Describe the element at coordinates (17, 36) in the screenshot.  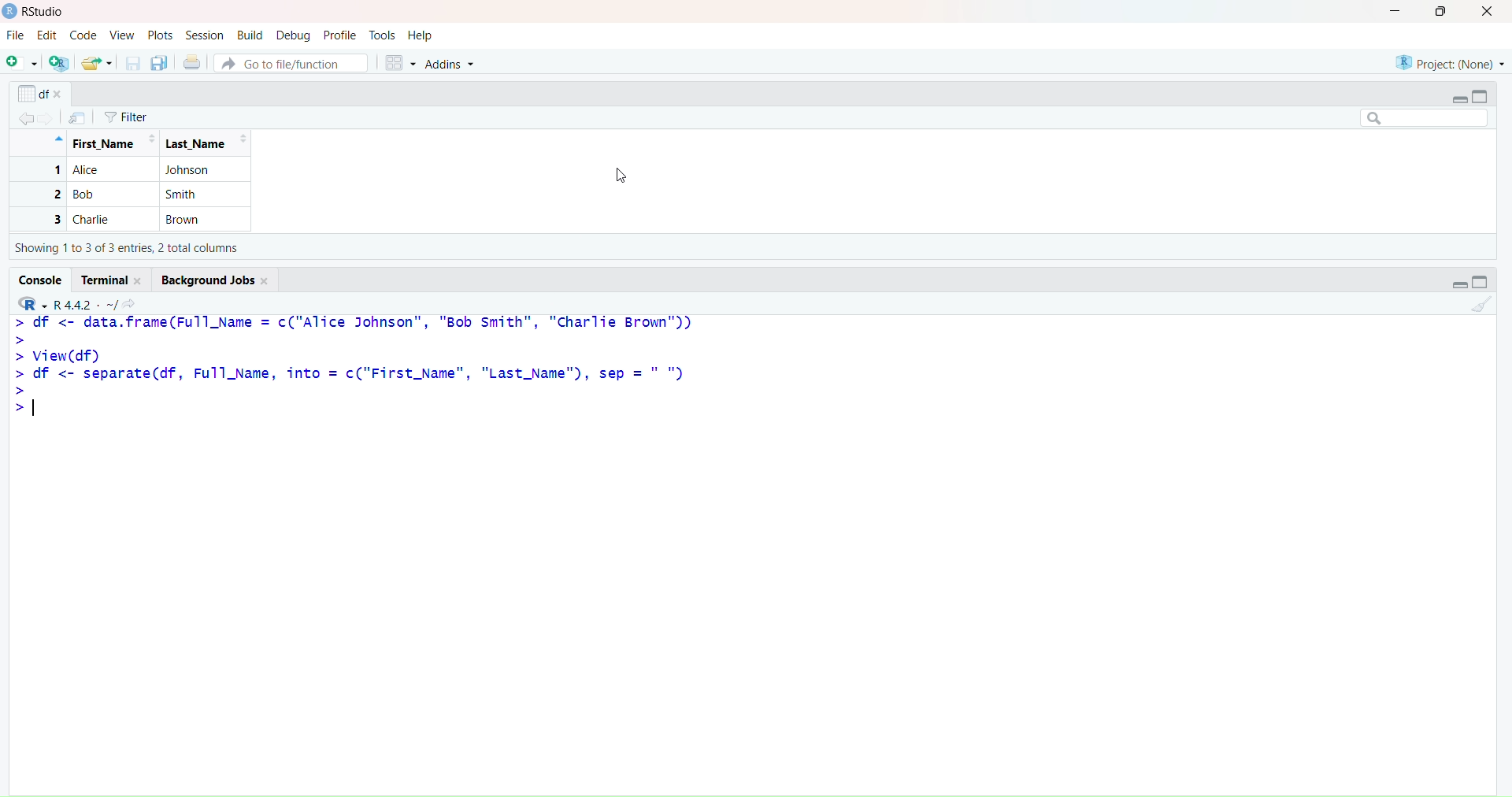
I see `File` at that location.